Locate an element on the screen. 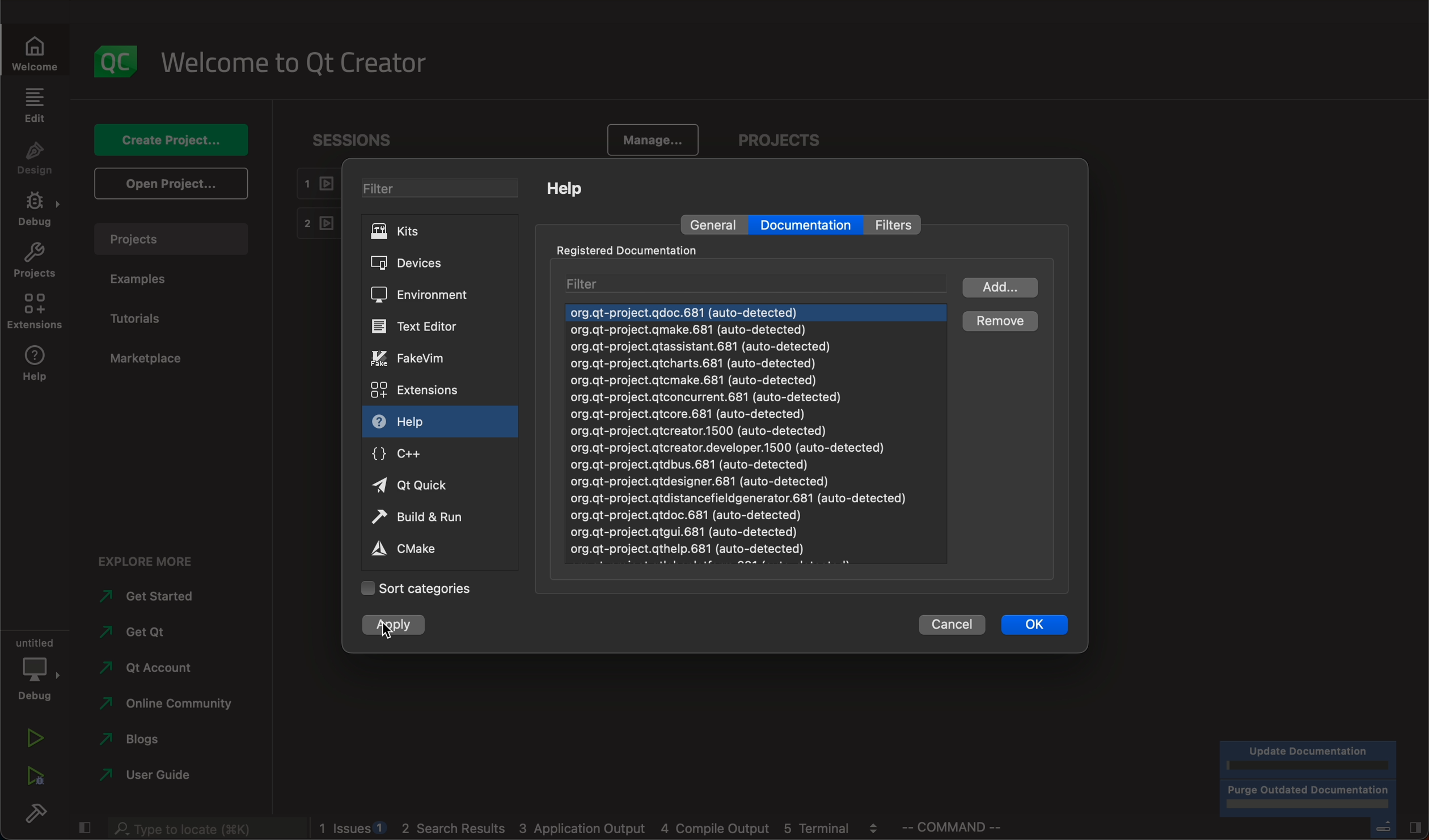  edit is located at coordinates (38, 108).